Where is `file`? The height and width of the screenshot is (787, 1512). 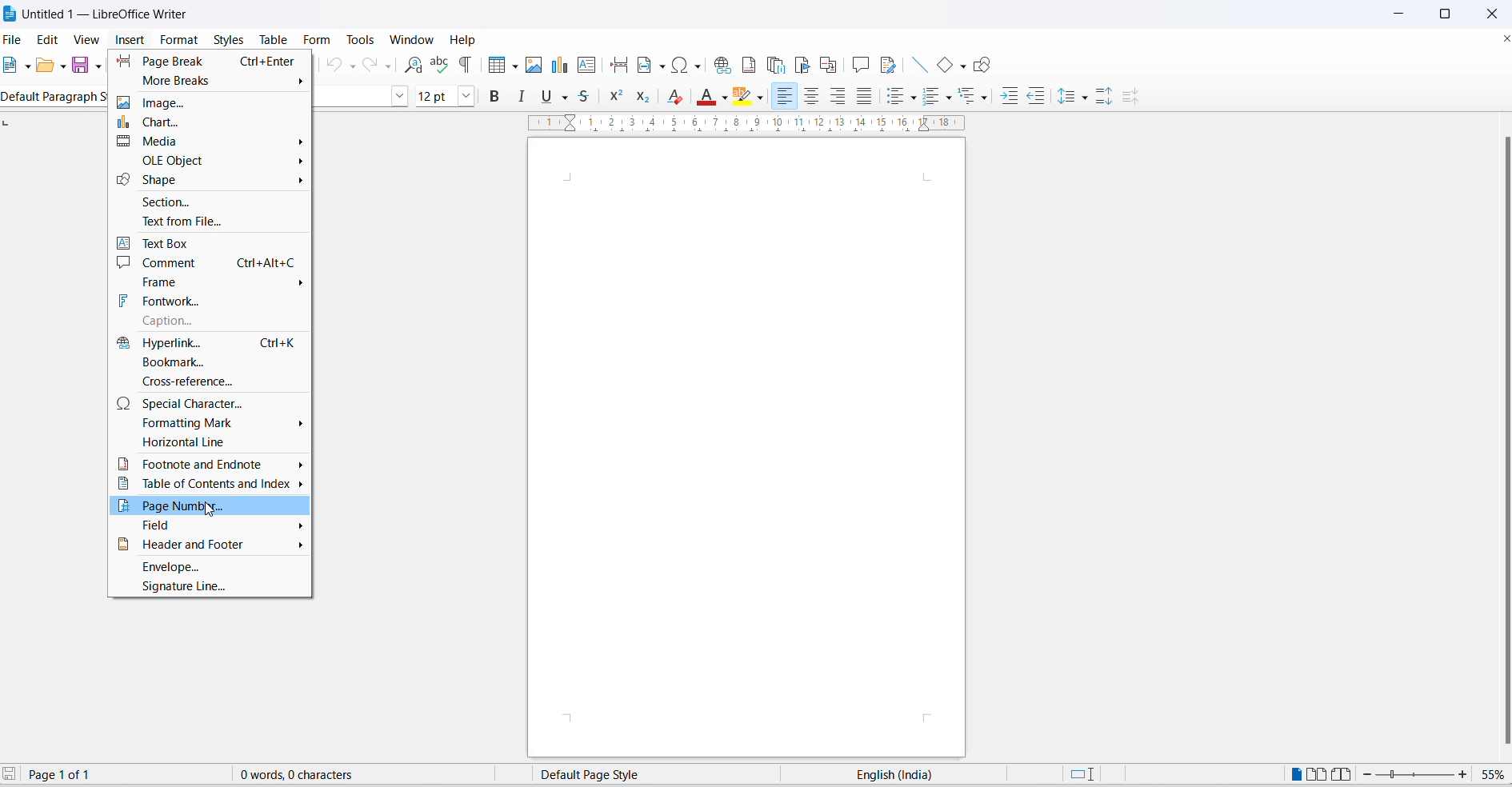 file is located at coordinates (14, 38).